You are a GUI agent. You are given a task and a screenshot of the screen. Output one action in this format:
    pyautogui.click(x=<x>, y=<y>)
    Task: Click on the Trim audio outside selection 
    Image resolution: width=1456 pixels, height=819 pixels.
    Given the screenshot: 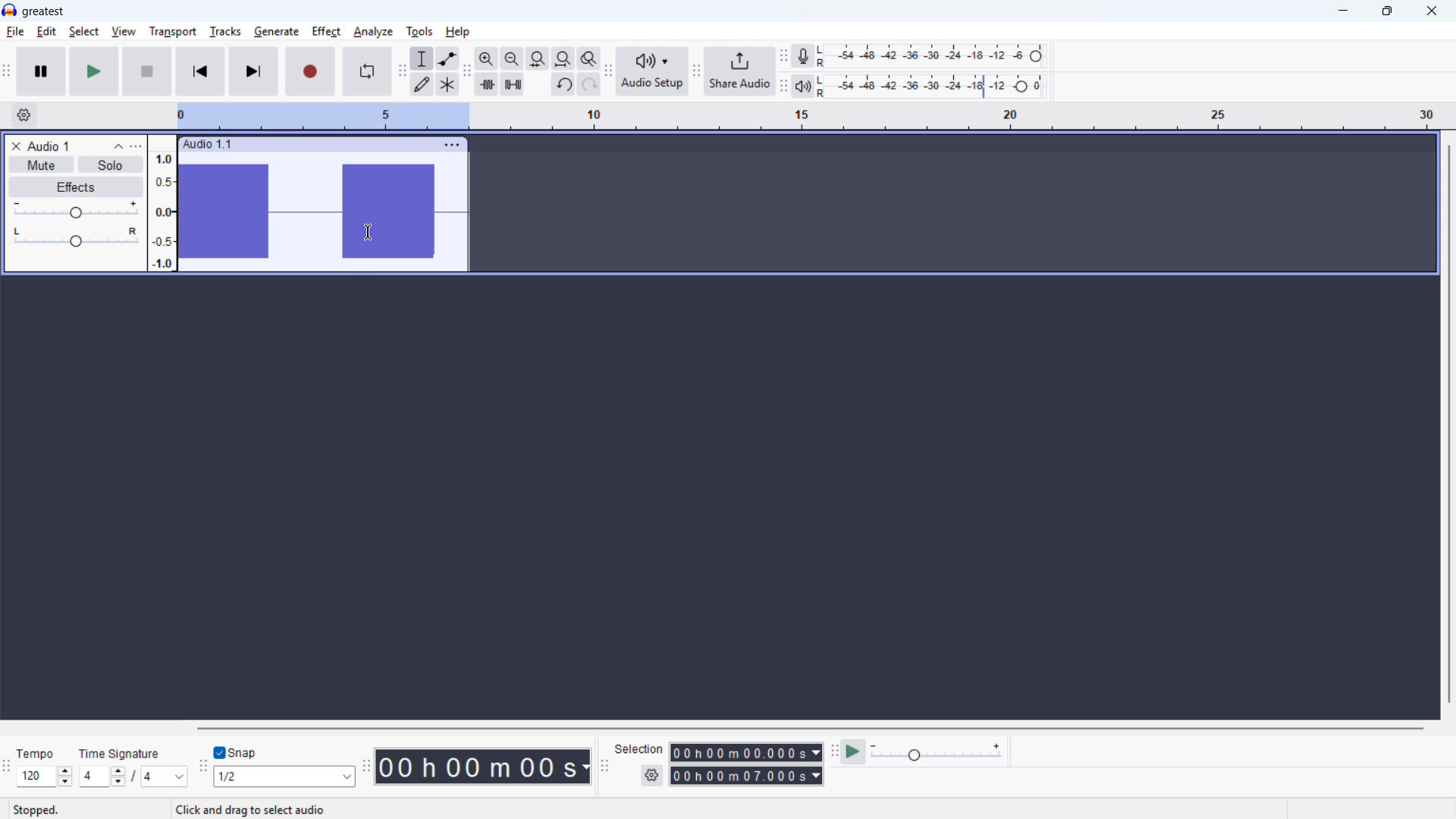 What is the action you would take?
    pyautogui.click(x=487, y=85)
    